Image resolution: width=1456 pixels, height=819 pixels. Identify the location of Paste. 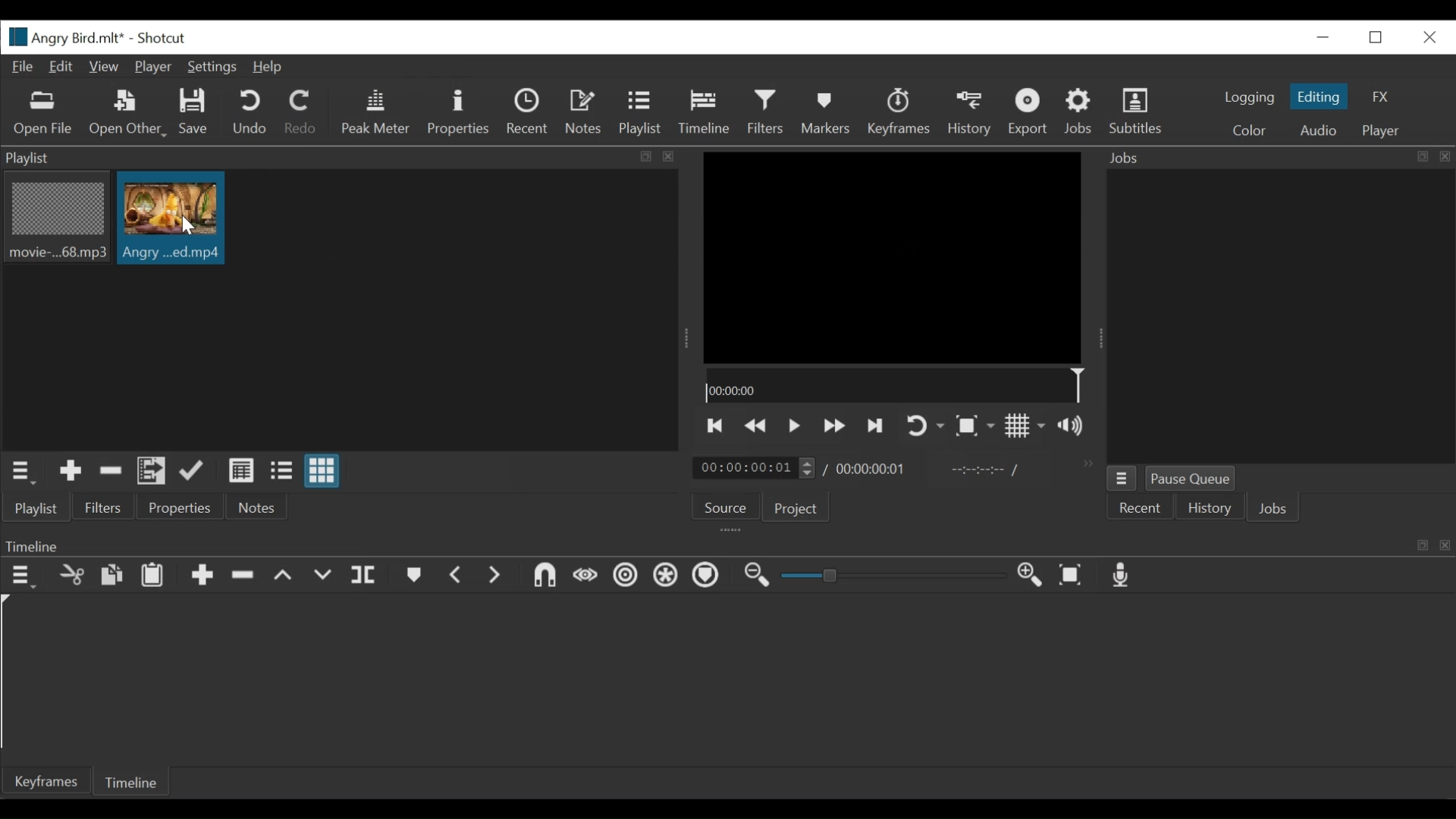
(152, 576).